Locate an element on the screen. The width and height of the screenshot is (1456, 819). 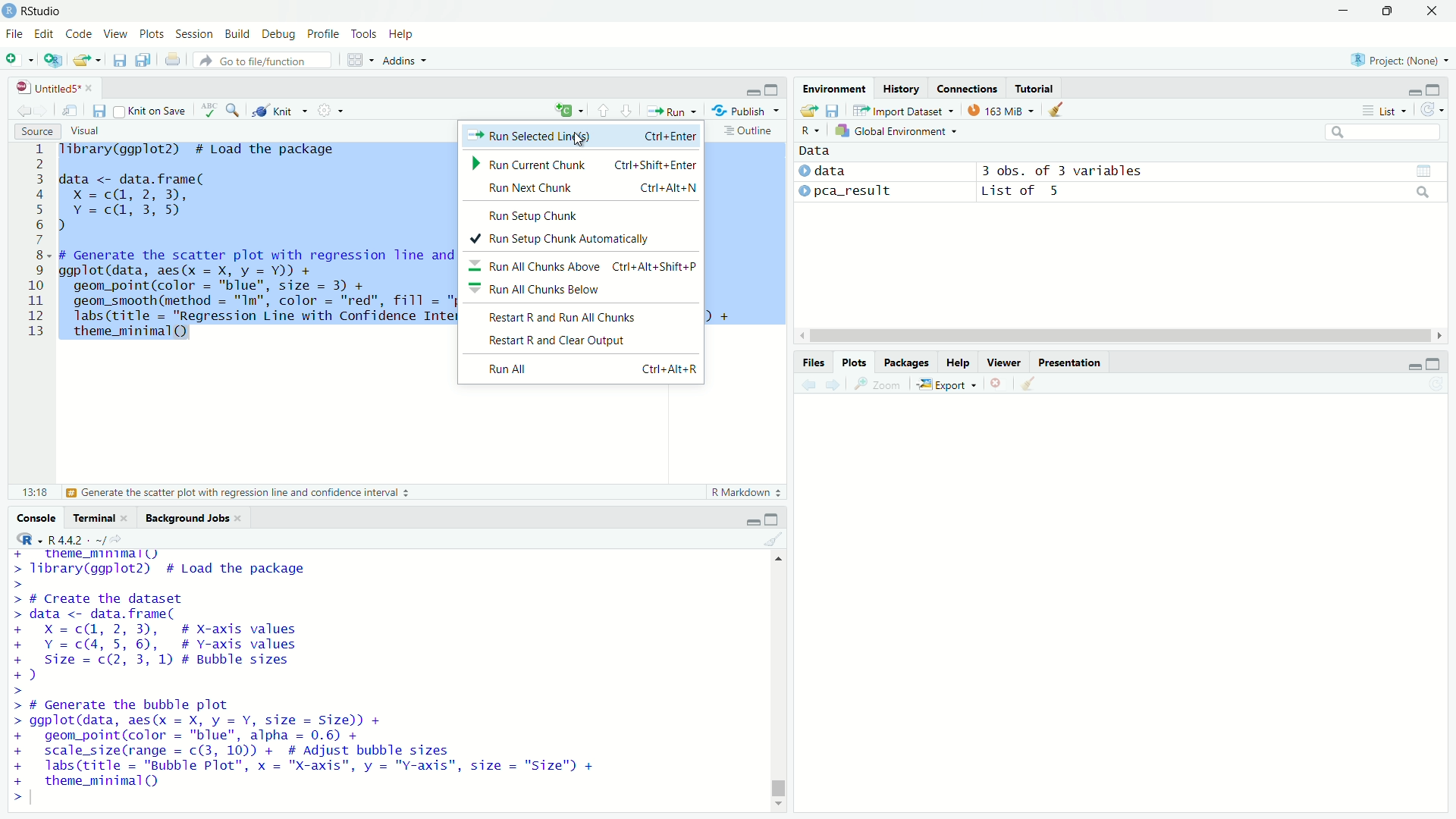
History is located at coordinates (902, 87).